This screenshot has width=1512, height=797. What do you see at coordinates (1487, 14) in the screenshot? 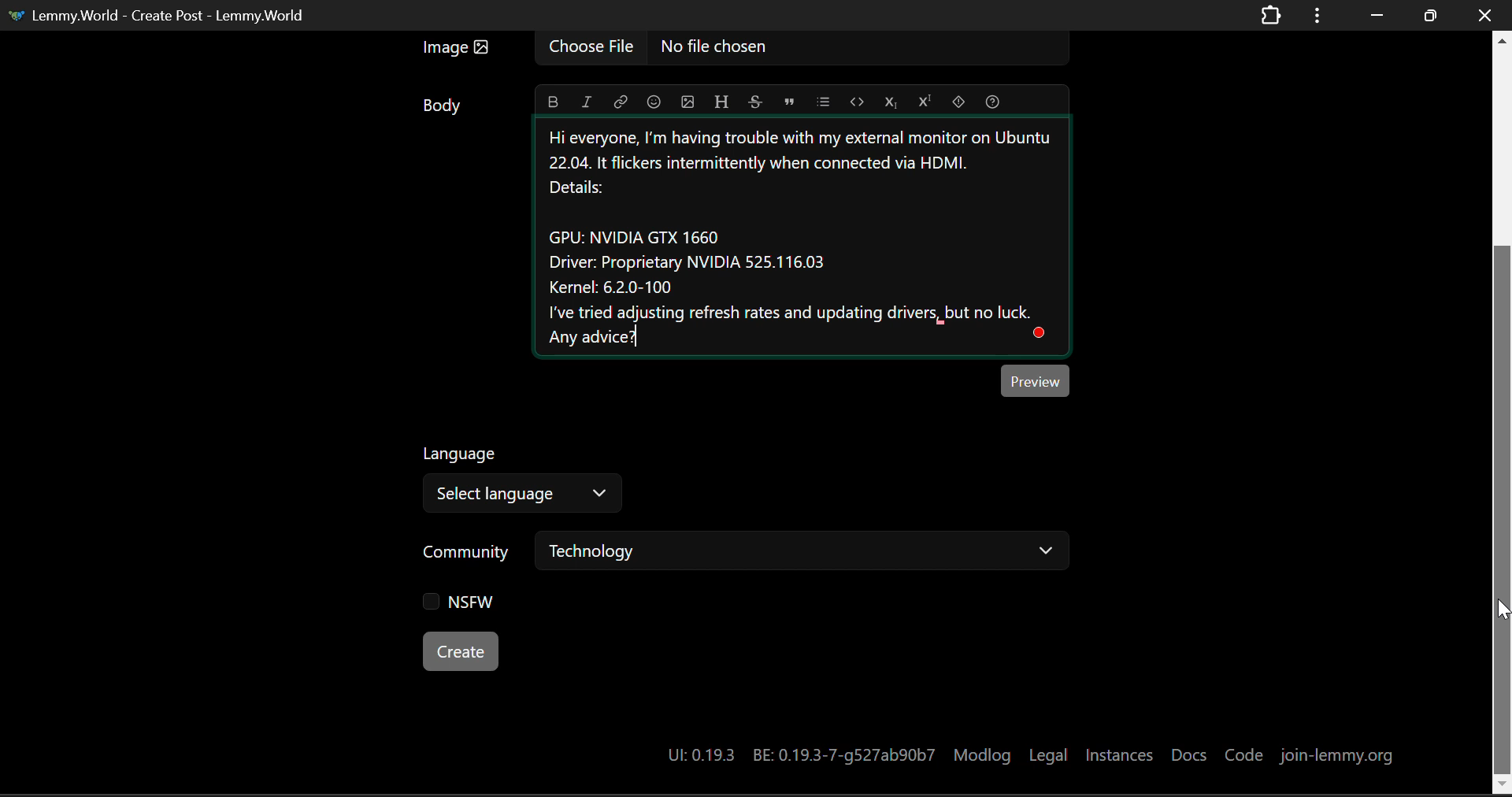
I see `Close Window` at bounding box center [1487, 14].